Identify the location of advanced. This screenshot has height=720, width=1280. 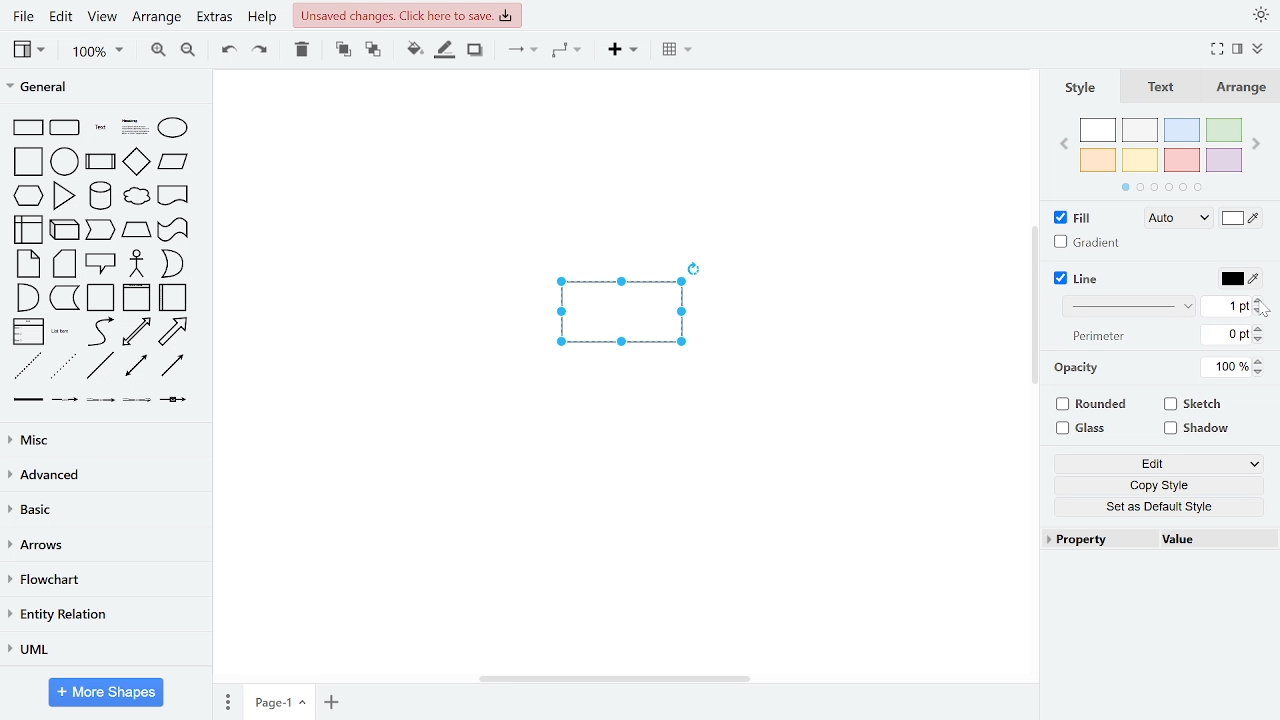
(102, 475).